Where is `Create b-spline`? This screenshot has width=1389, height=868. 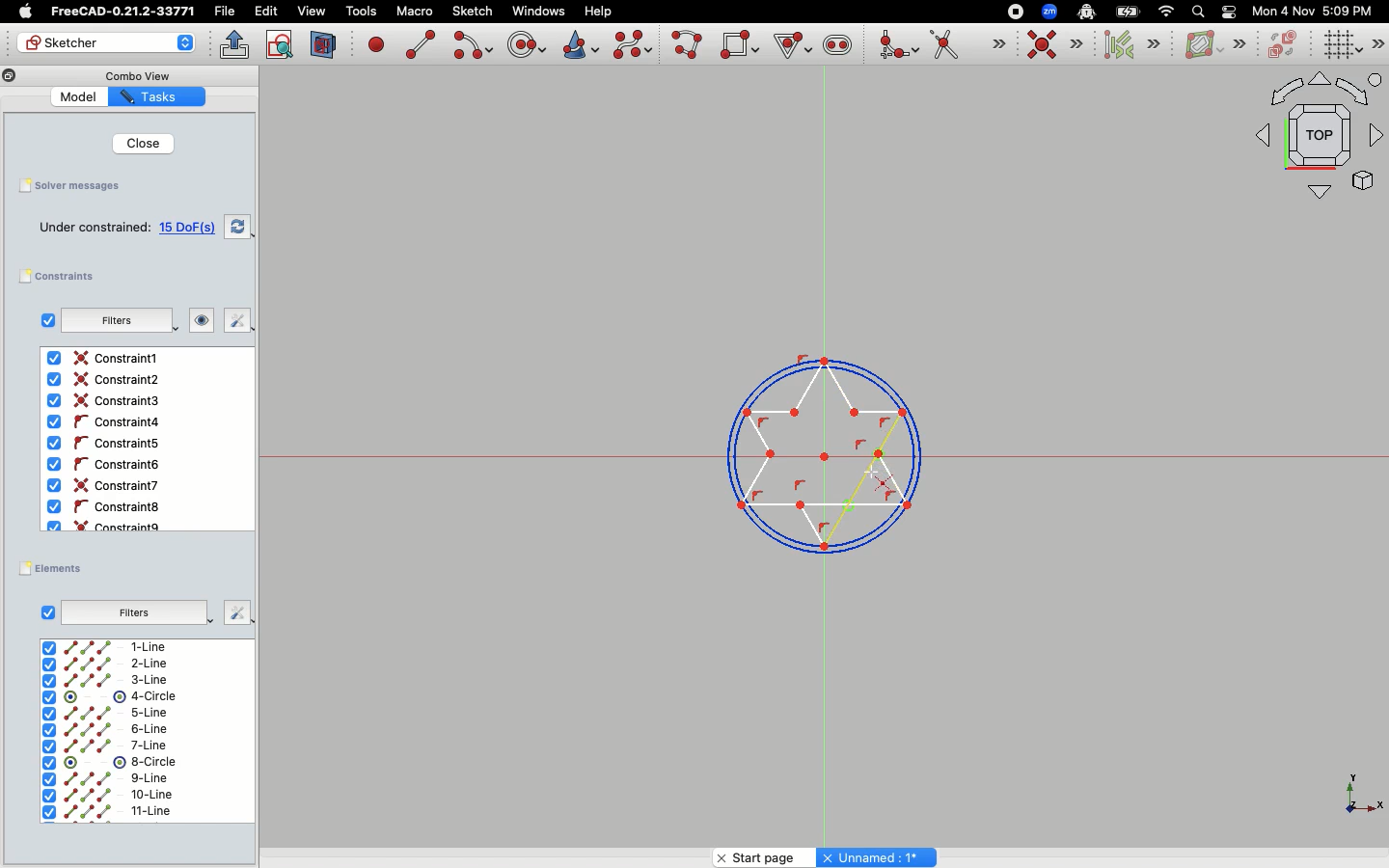
Create b-spline is located at coordinates (633, 44).